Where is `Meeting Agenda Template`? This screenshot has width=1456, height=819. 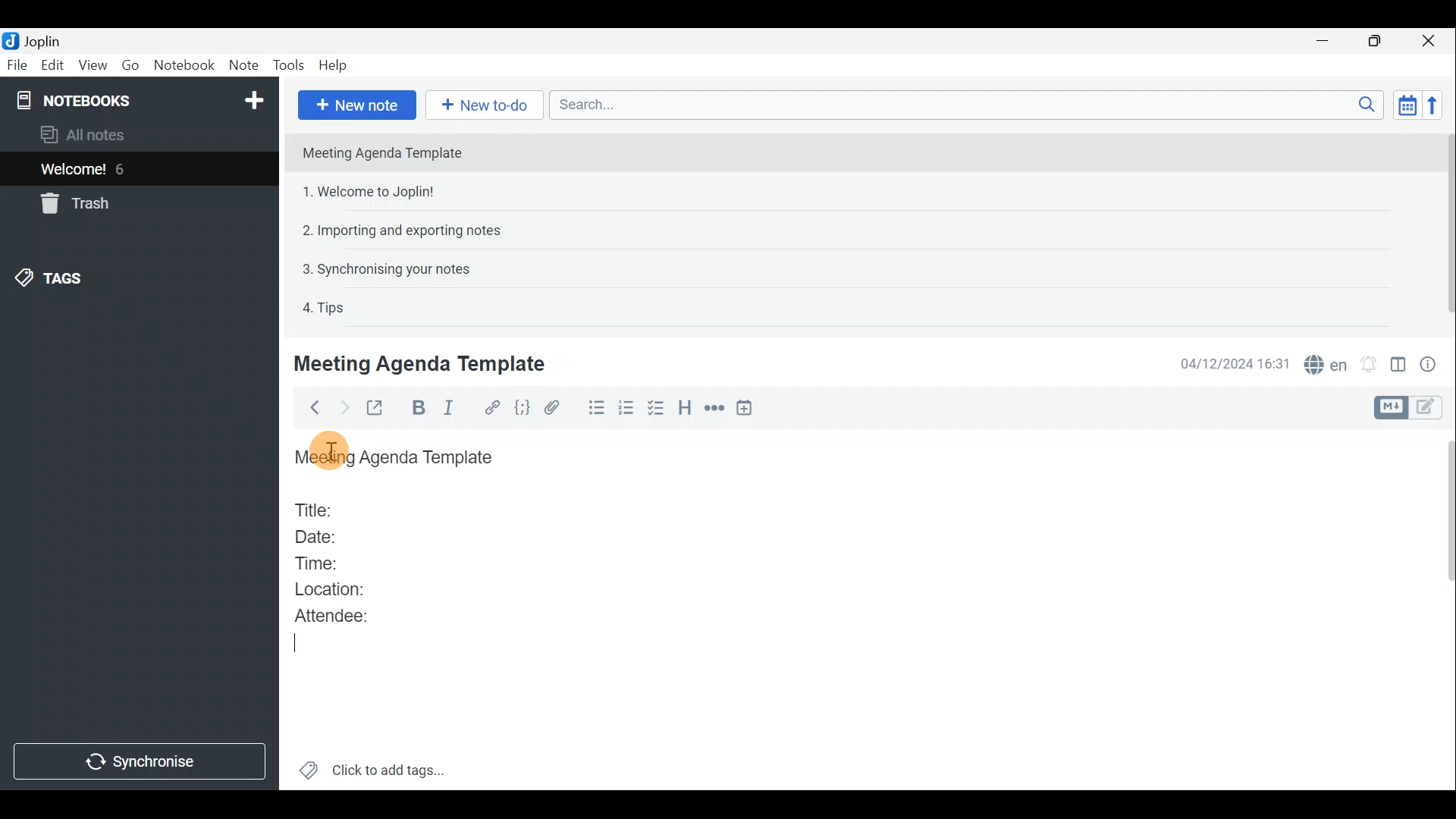
Meeting Agenda Template is located at coordinates (422, 363).